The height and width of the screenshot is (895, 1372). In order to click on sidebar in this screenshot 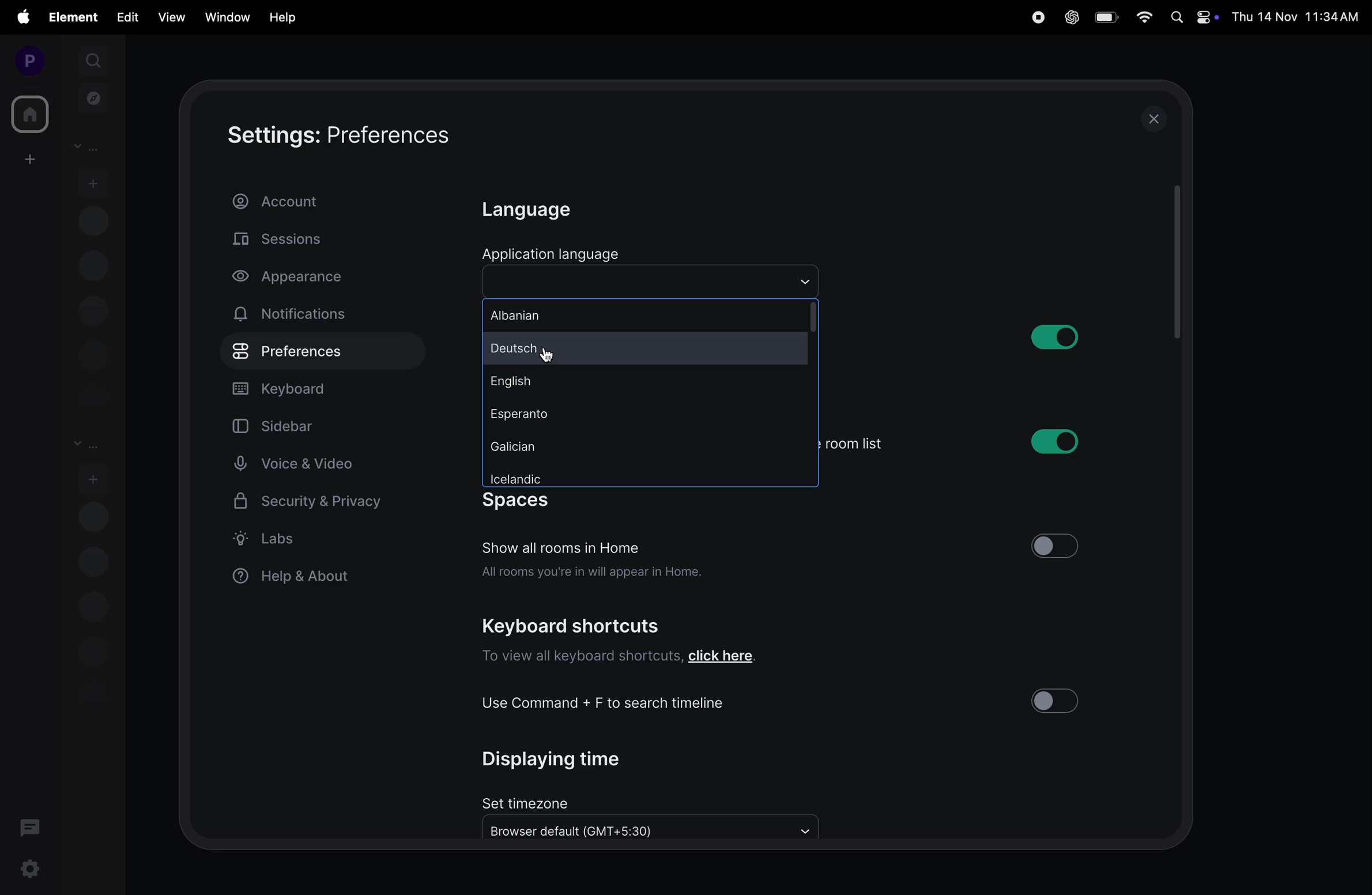, I will do `click(295, 427)`.